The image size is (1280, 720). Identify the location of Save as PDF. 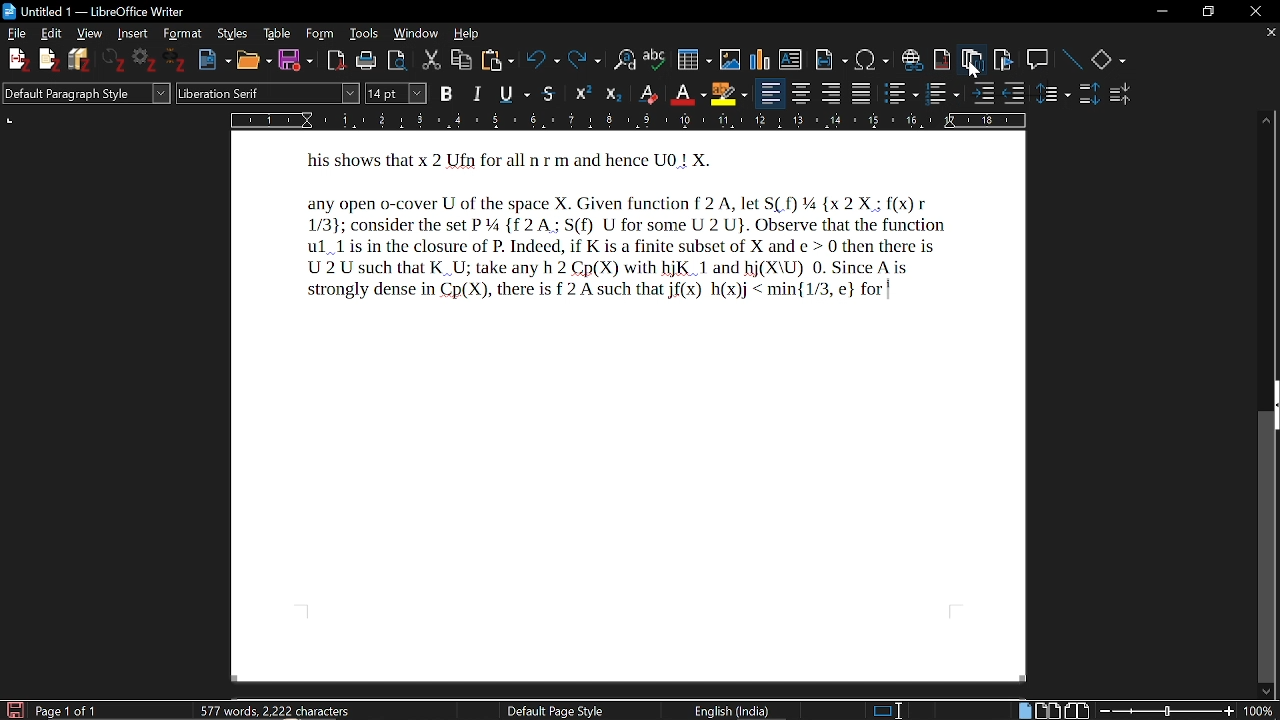
(336, 61).